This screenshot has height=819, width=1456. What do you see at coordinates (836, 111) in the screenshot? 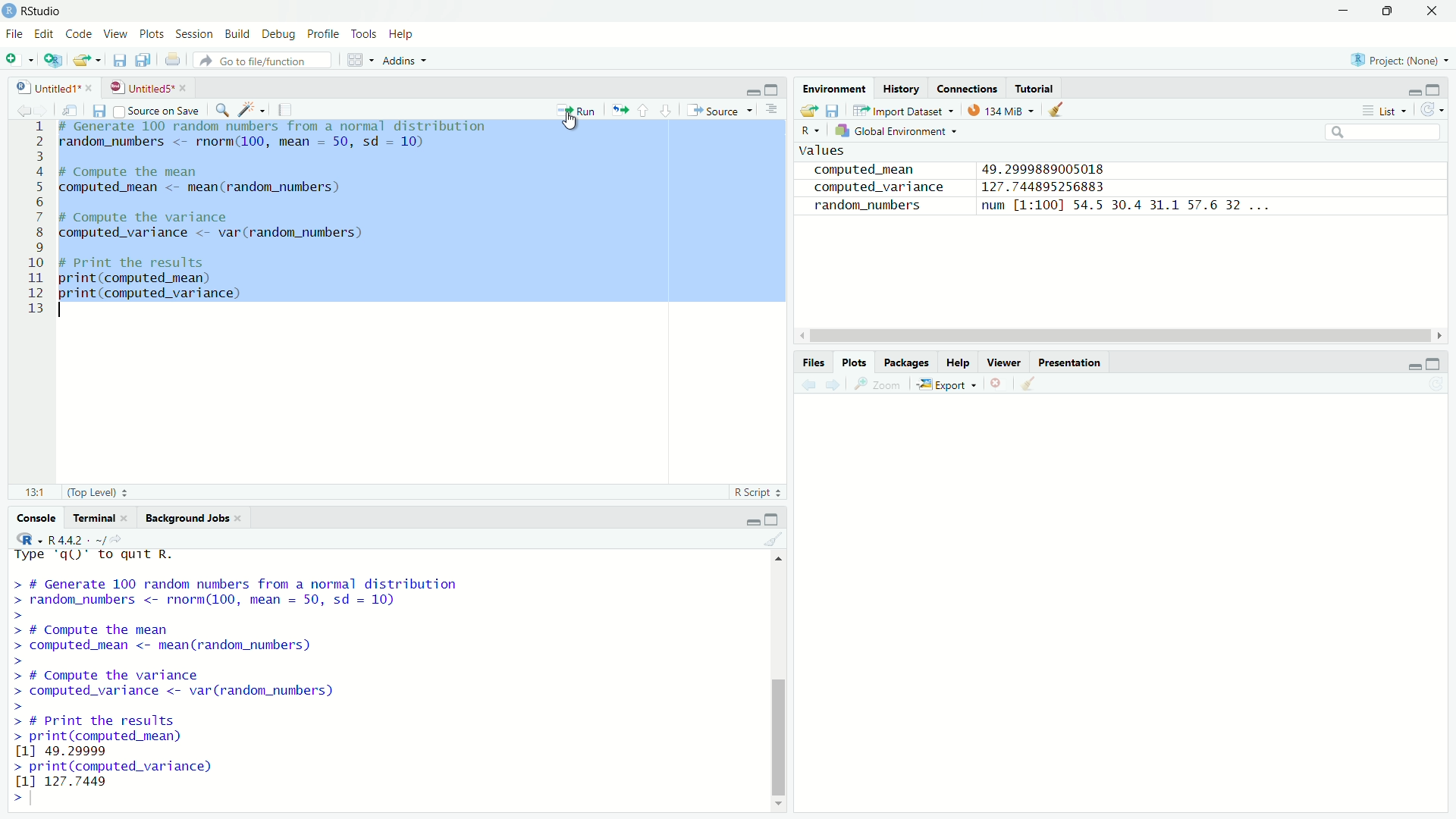
I see `save workspace as` at bounding box center [836, 111].